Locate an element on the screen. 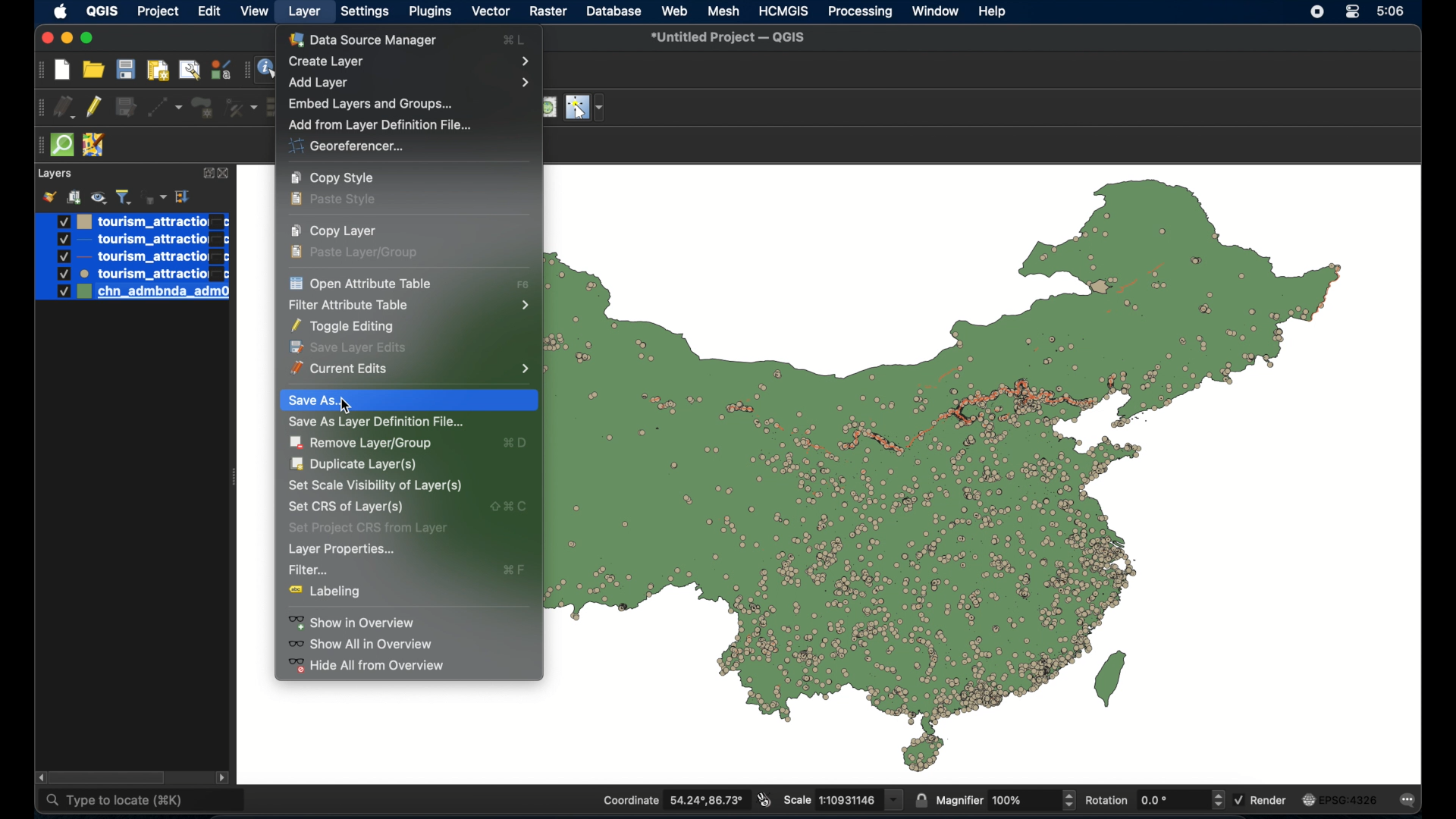 The height and width of the screenshot is (819, 1456). sectors of layer is located at coordinates (348, 507).